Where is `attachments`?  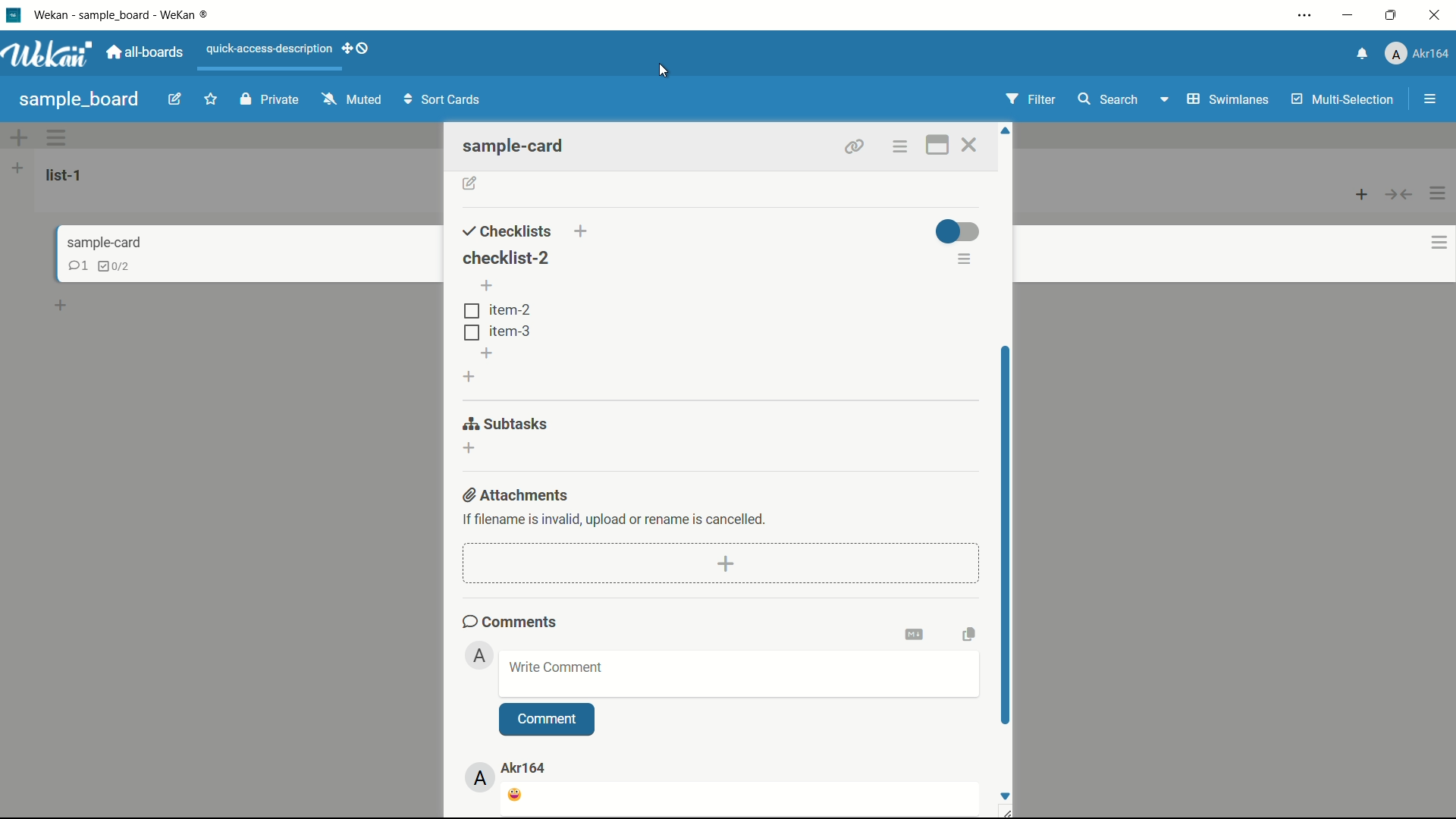
attachments is located at coordinates (518, 494).